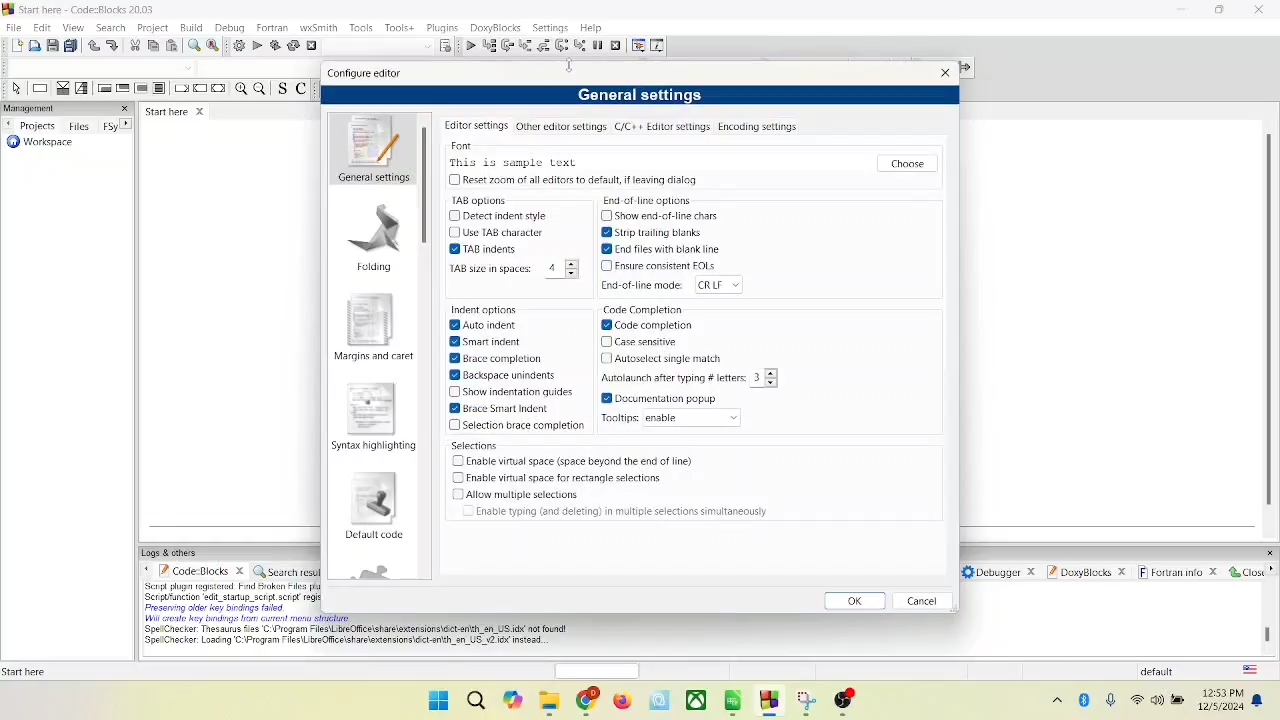 The width and height of the screenshot is (1280, 720). I want to click on edit, so click(44, 27).